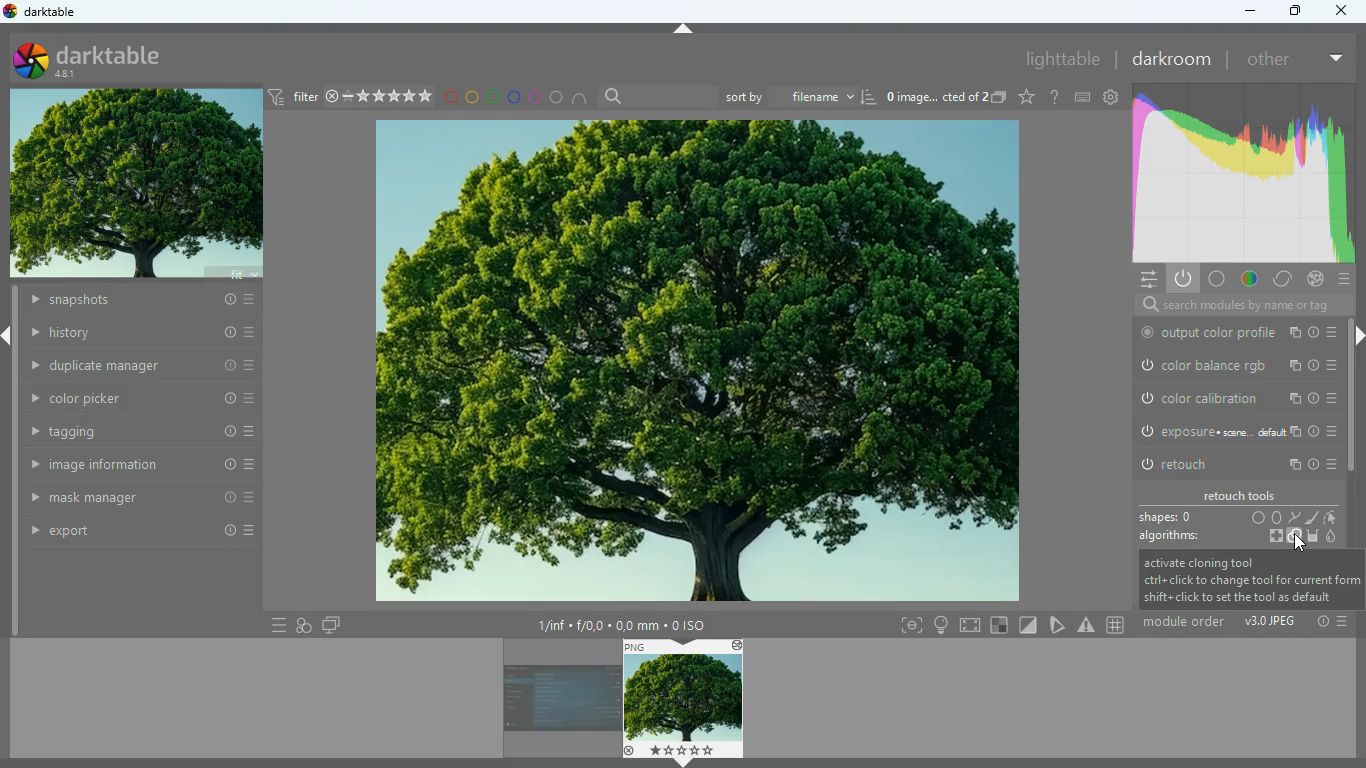  What do you see at coordinates (514, 98) in the screenshot?
I see `blue` at bounding box center [514, 98].